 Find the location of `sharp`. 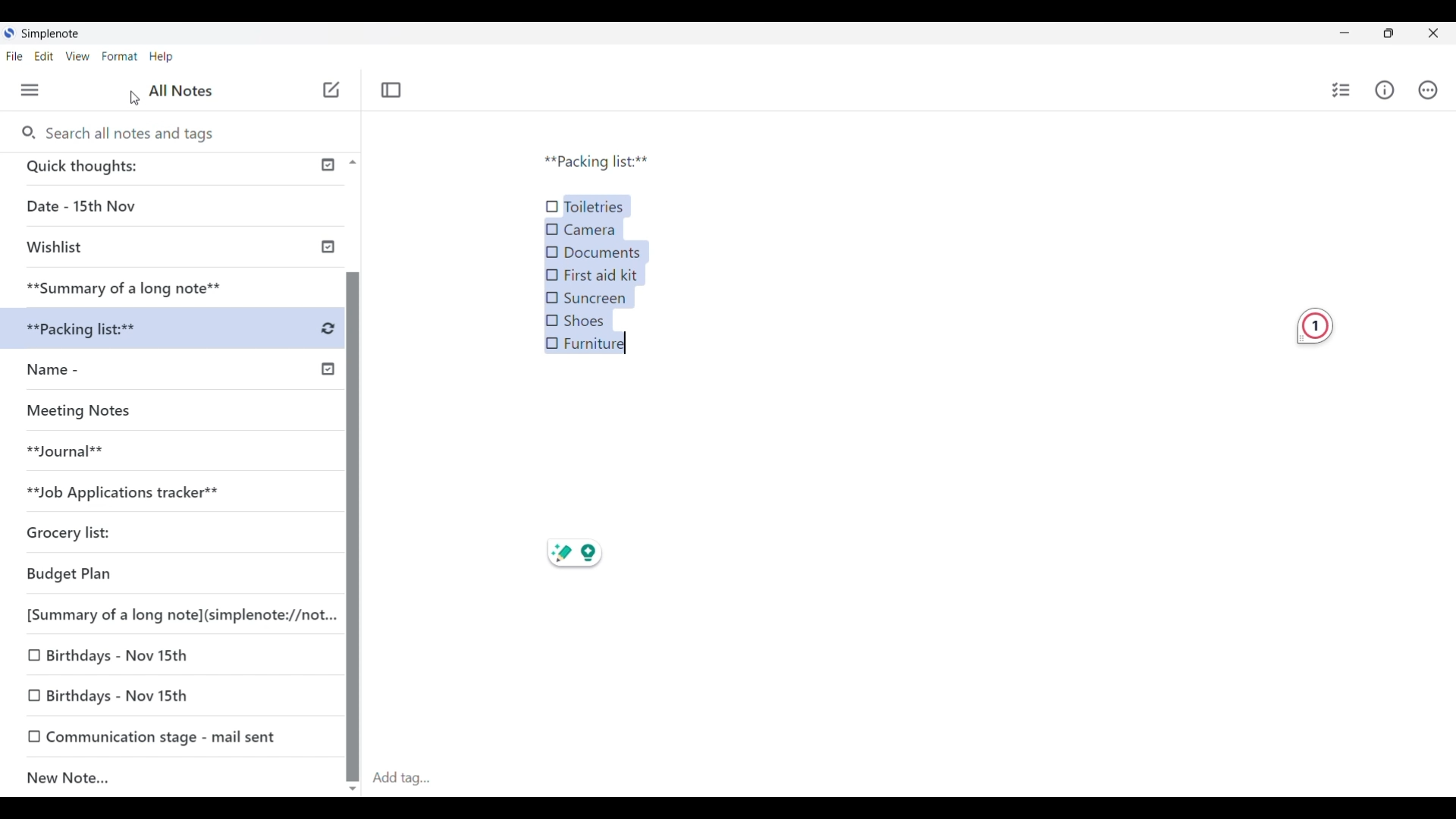

sharp is located at coordinates (560, 554).